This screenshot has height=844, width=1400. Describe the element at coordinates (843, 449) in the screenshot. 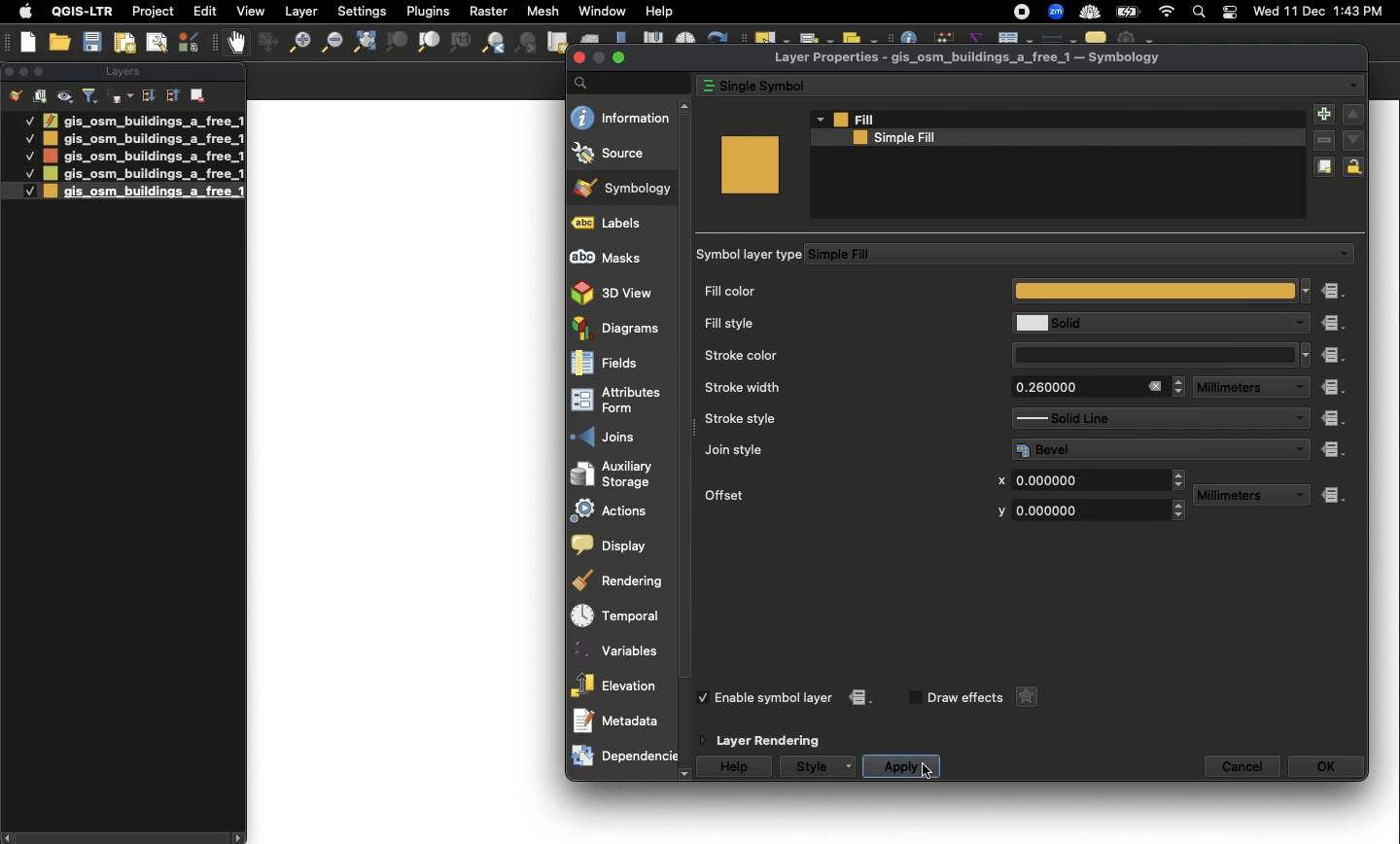

I see `Join style` at that location.